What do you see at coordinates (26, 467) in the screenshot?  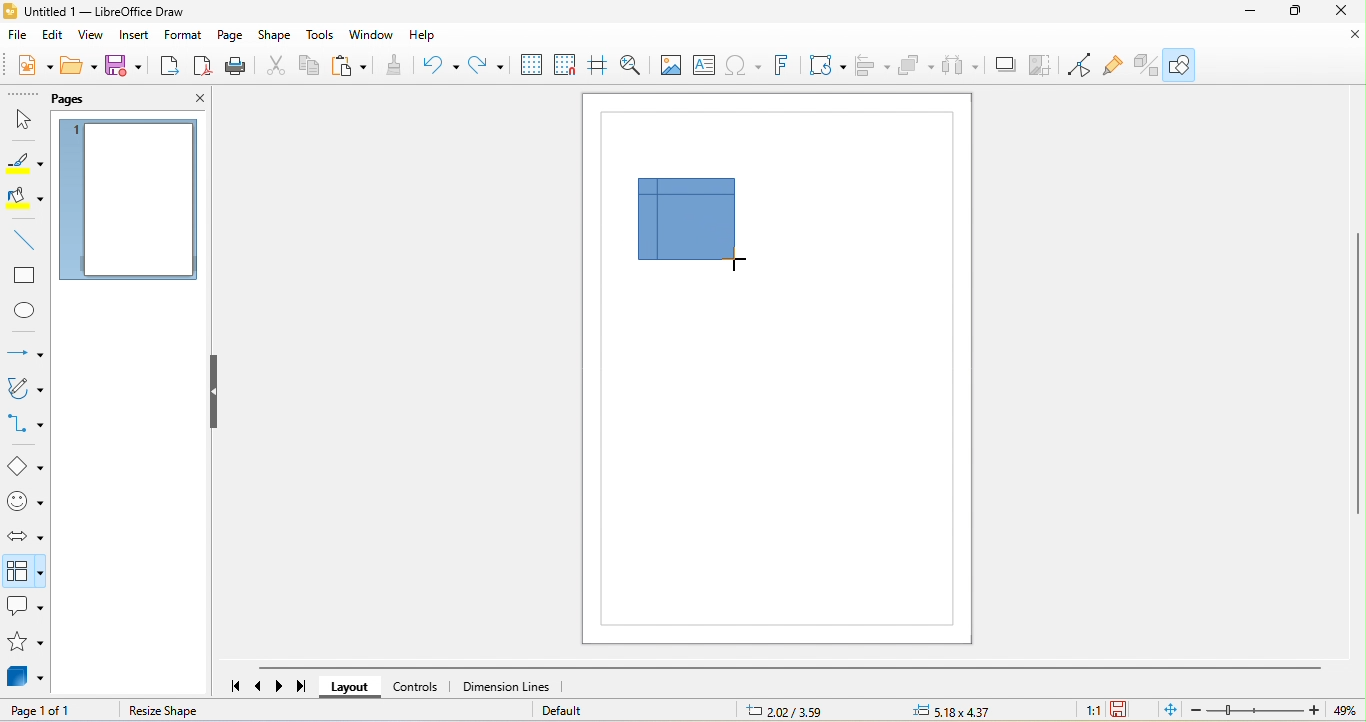 I see `basic shape` at bounding box center [26, 467].